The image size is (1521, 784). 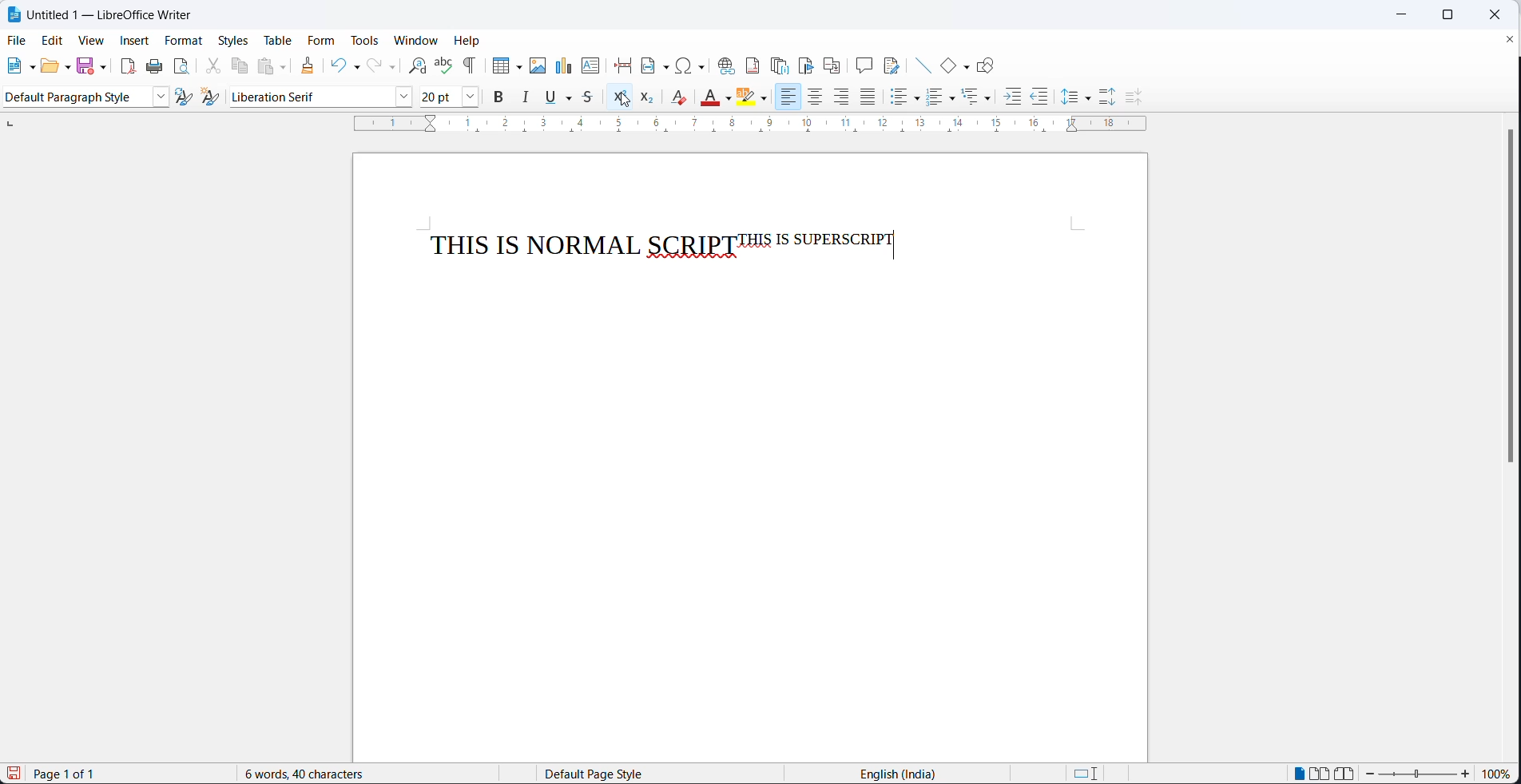 I want to click on justified, so click(x=868, y=97).